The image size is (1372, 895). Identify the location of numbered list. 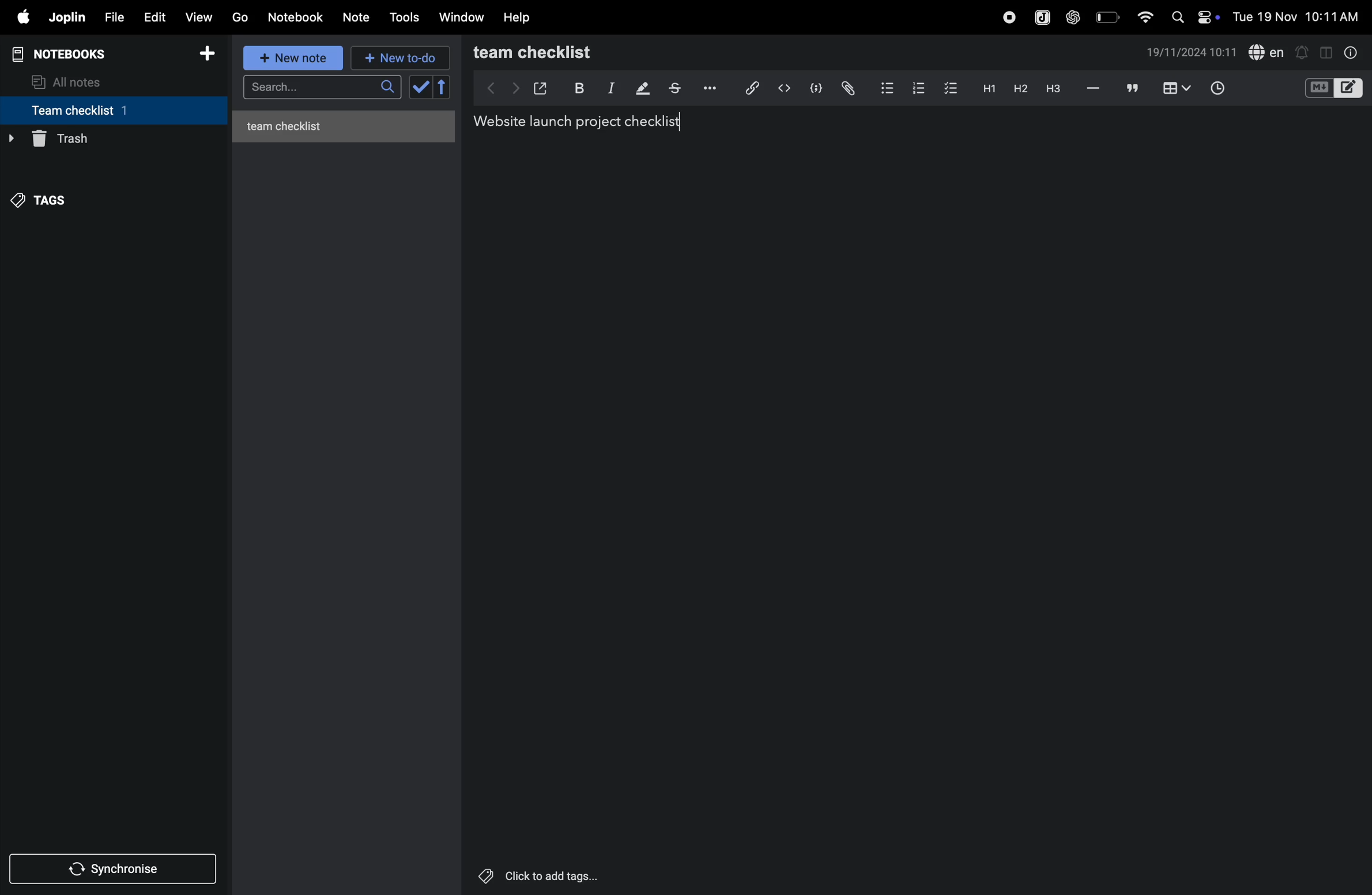
(916, 87).